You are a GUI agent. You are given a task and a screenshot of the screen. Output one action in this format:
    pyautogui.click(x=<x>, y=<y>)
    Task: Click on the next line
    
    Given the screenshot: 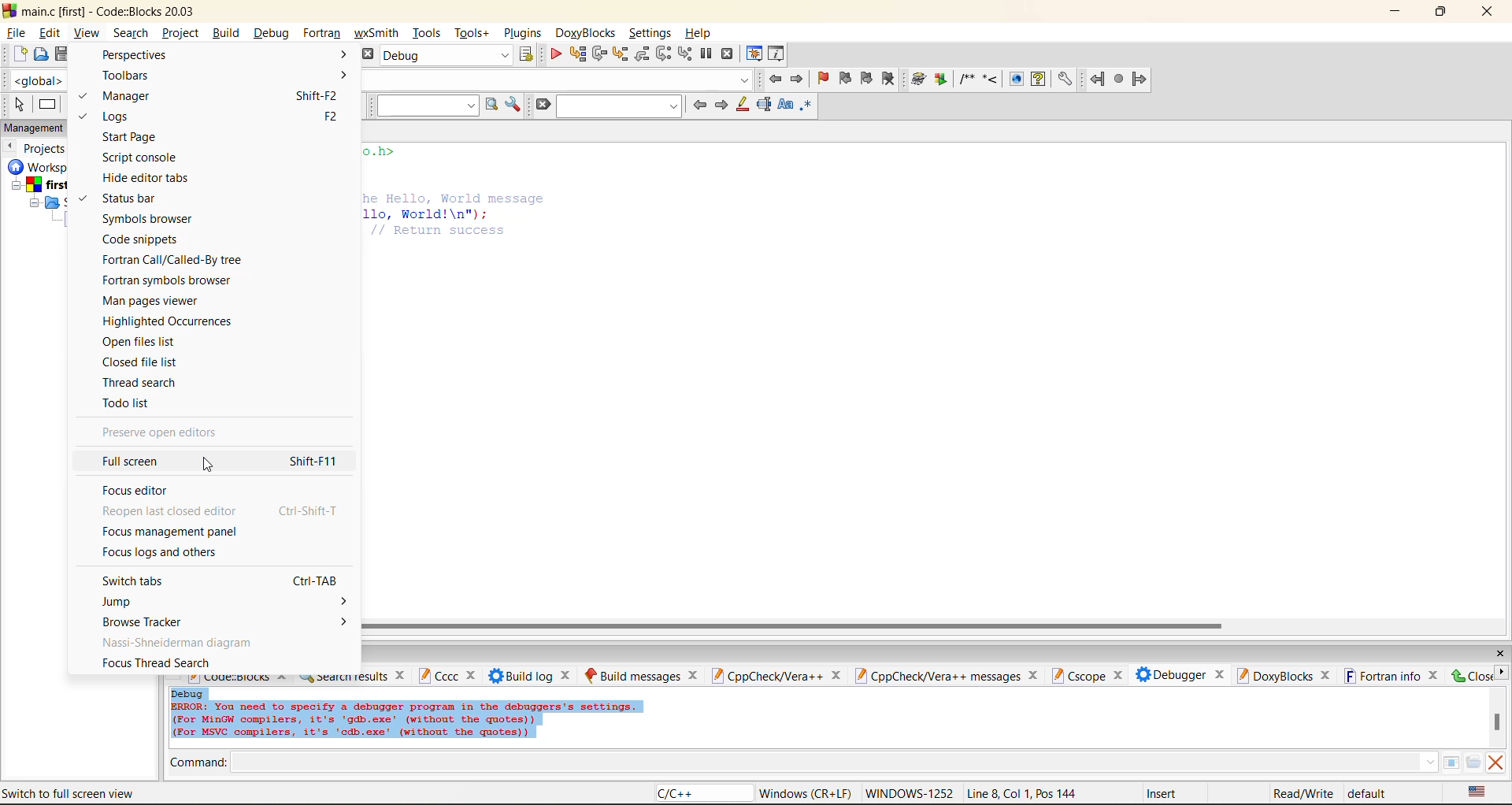 What is the action you would take?
    pyautogui.click(x=602, y=55)
    